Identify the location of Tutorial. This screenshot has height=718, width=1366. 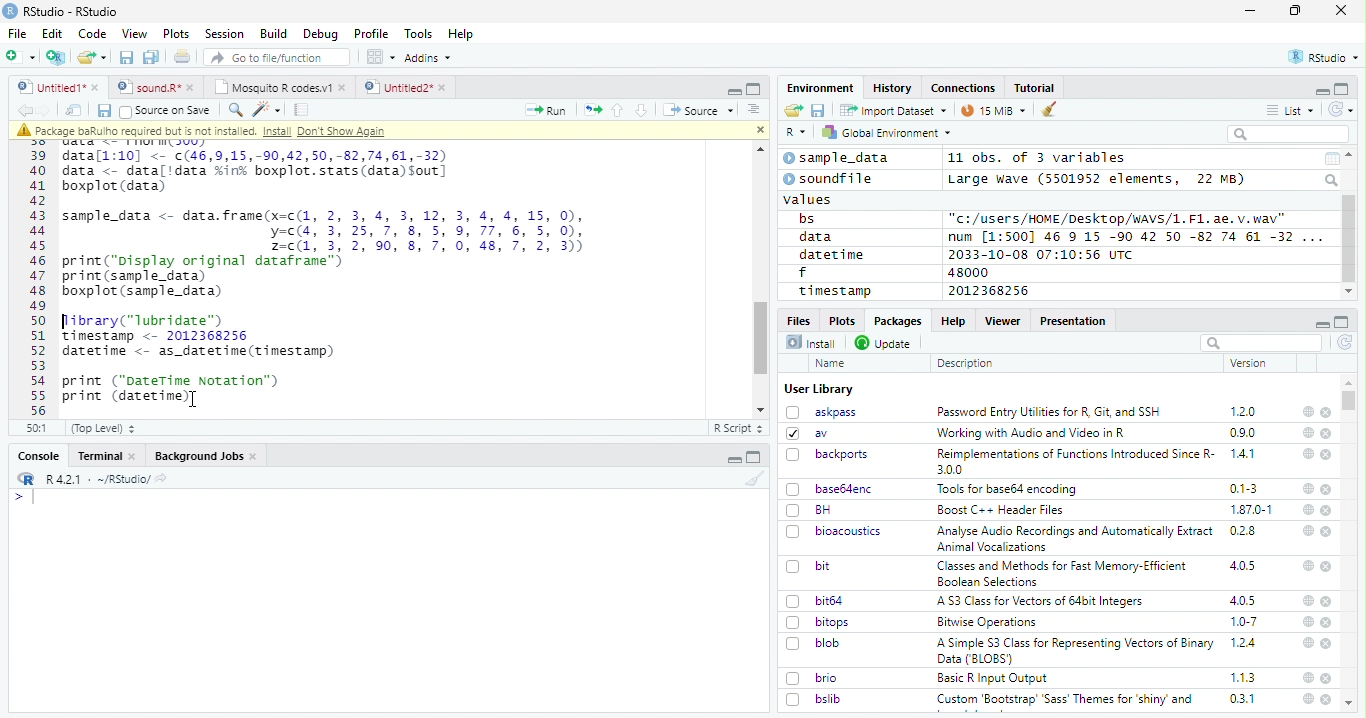
(1036, 88).